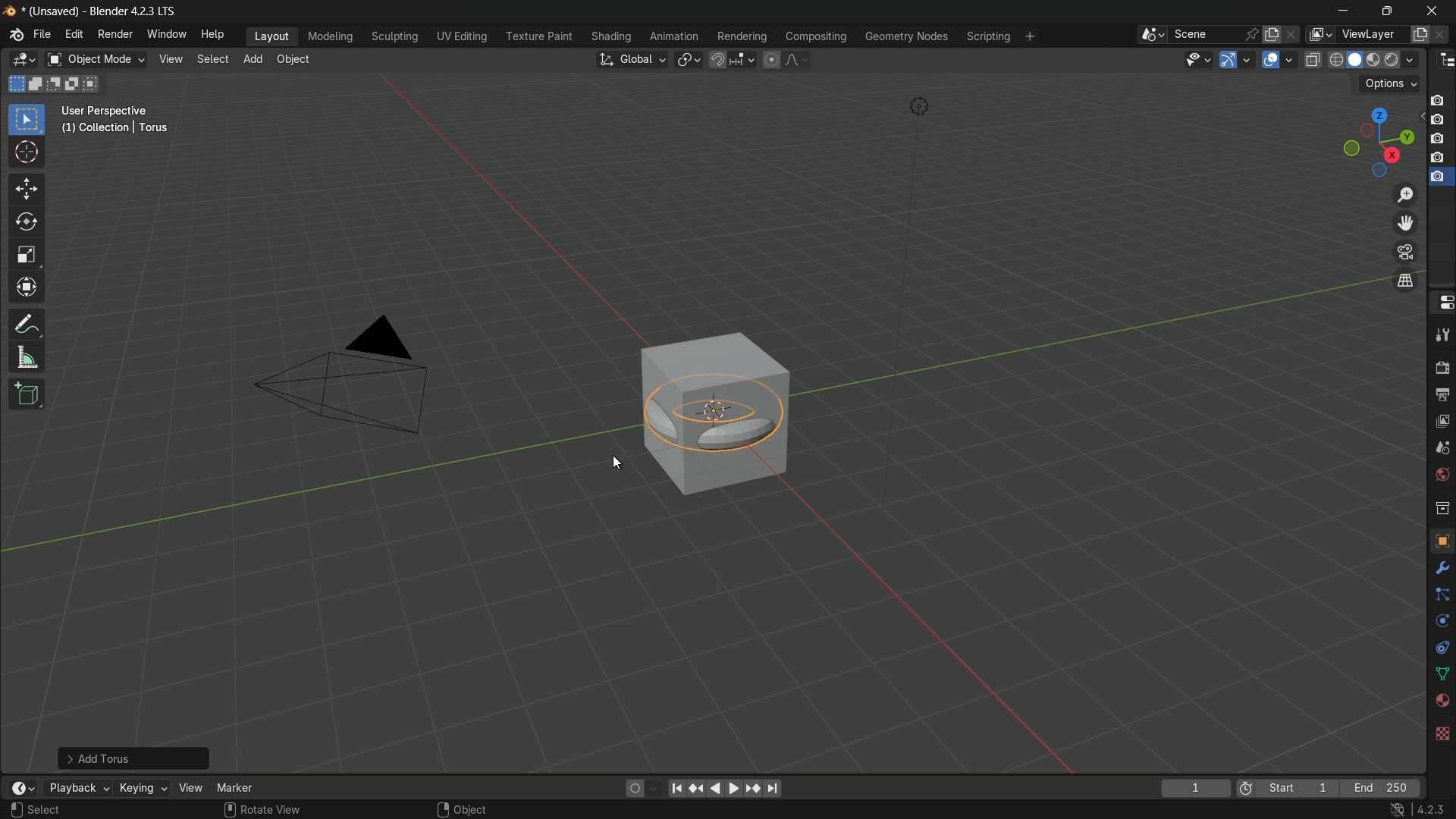  What do you see at coordinates (1388, 11) in the screenshot?
I see `maximize or restore` at bounding box center [1388, 11].